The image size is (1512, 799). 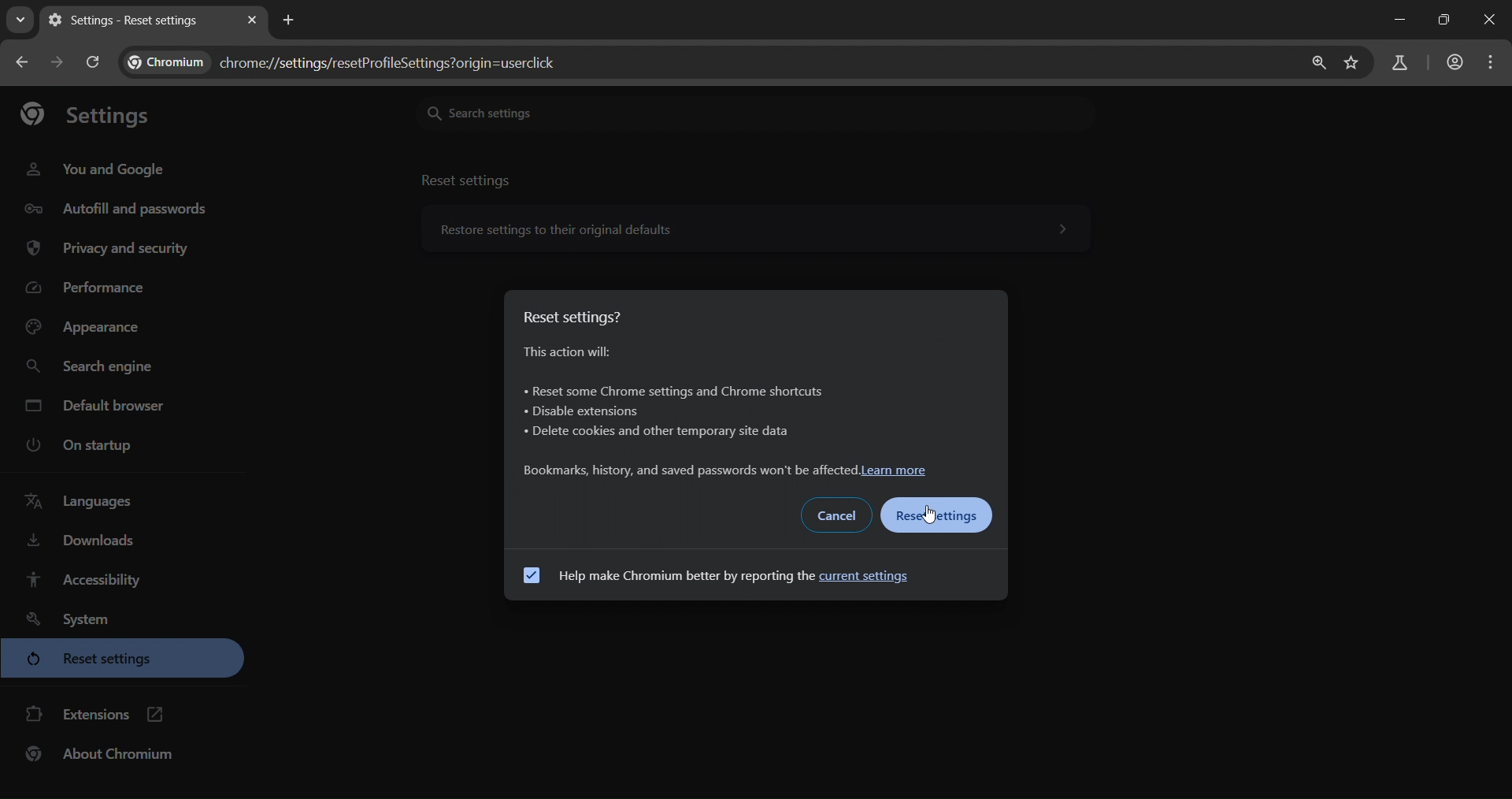 I want to click on help make chromium better by reporting the current settings, so click(x=721, y=578).